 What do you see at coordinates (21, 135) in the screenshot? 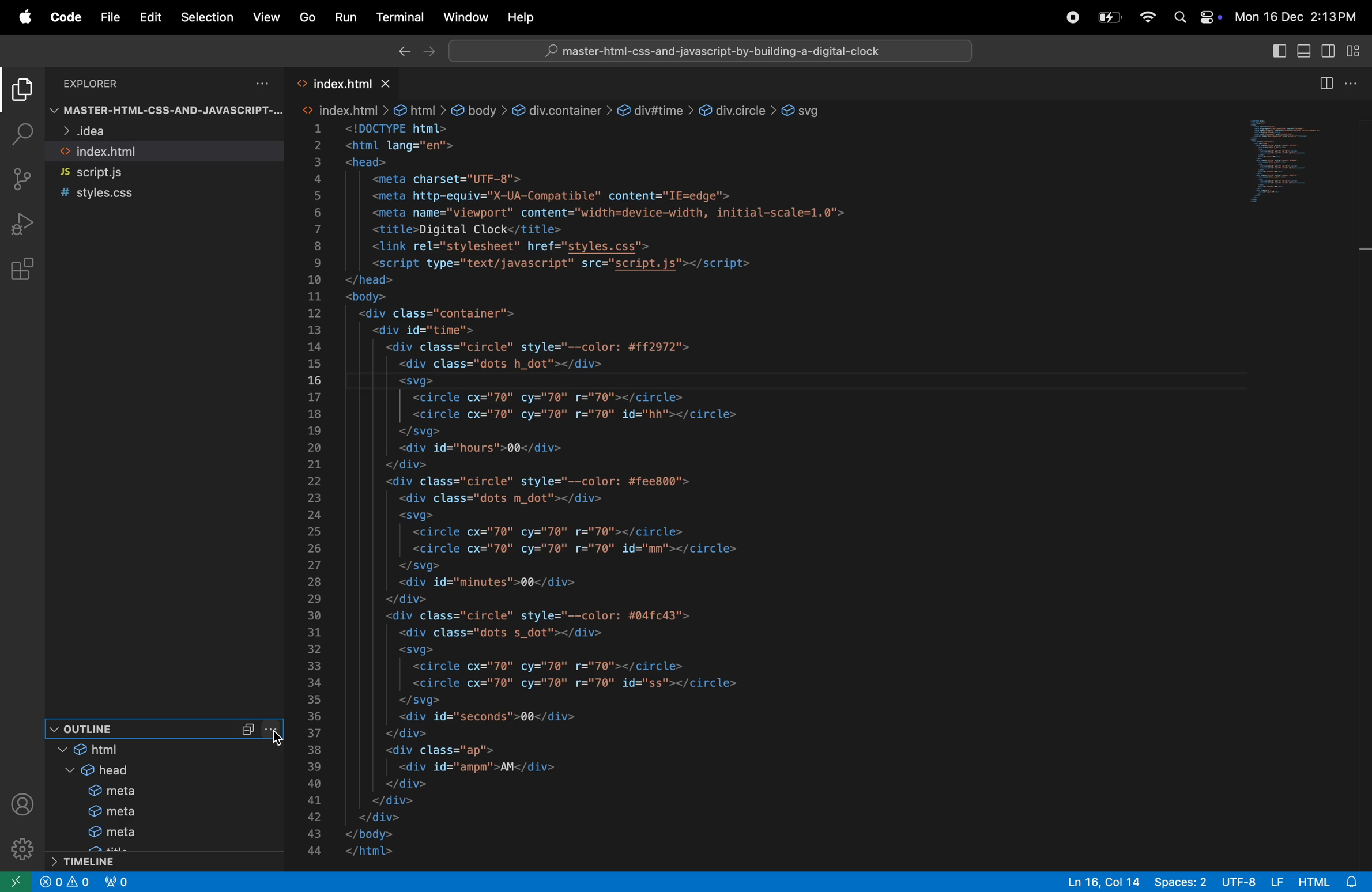
I see `search` at bounding box center [21, 135].